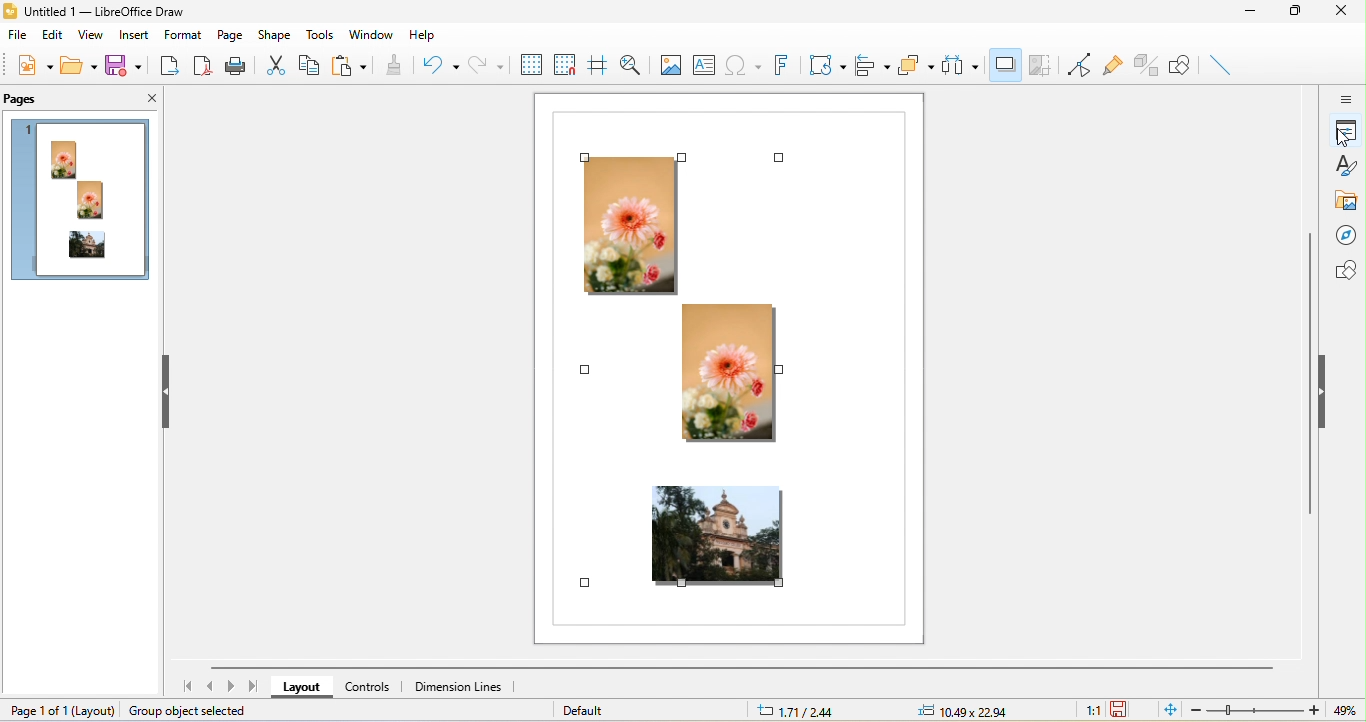 Image resolution: width=1366 pixels, height=722 pixels. Describe the element at coordinates (461, 689) in the screenshot. I see `dimension lines` at that location.